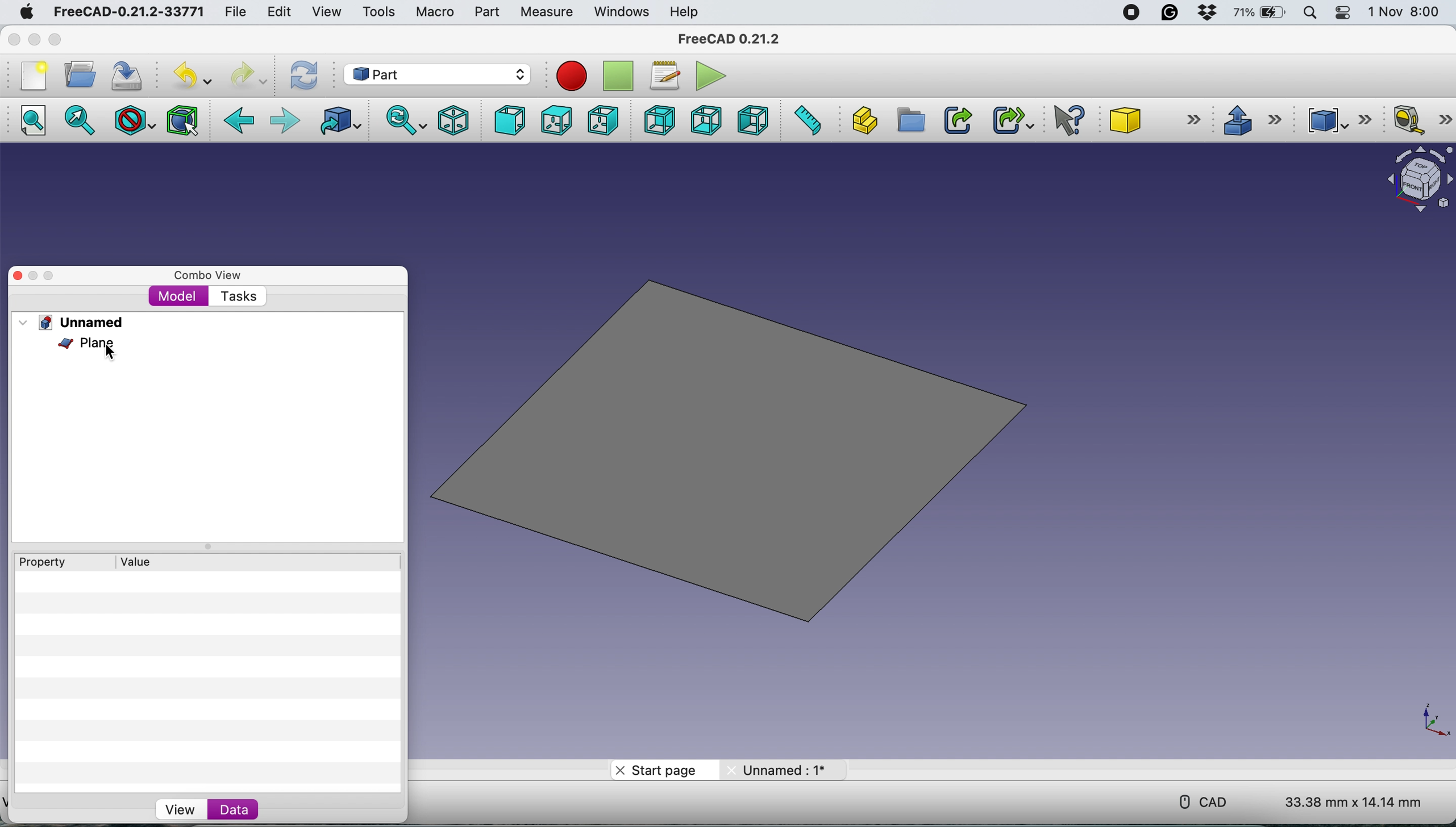 The height and width of the screenshot is (827, 1456). I want to click on screen recorder, so click(1124, 12).